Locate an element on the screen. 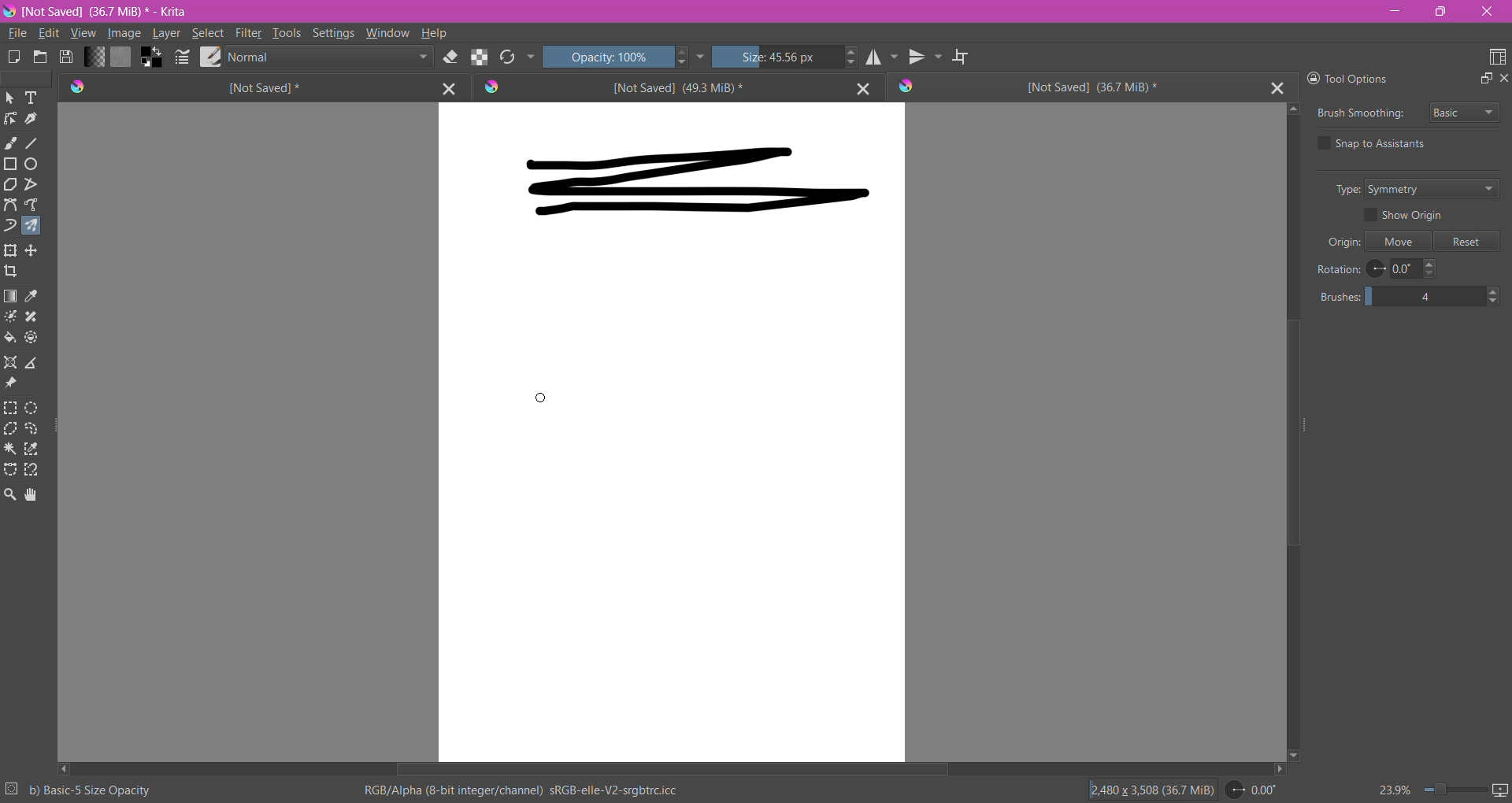 This screenshot has height=803, width=1512. Edit Shapes Tool is located at coordinates (11, 119).